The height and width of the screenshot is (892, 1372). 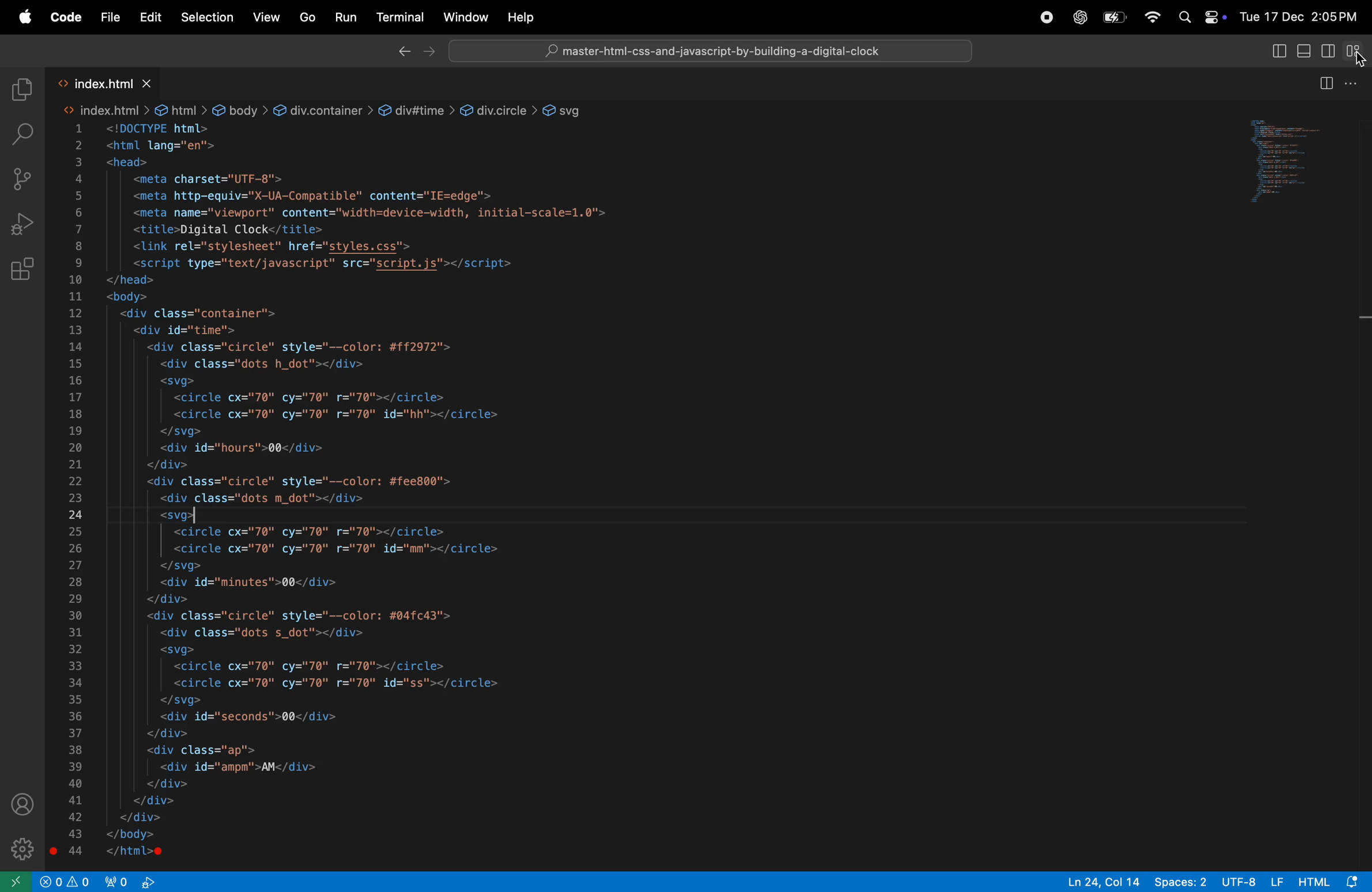 What do you see at coordinates (329, 110) in the screenshot?
I see `index.html > @ html > & body > &@ div.container > @ div#time > @ div.circle > @ svg` at bounding box center [329, 110].